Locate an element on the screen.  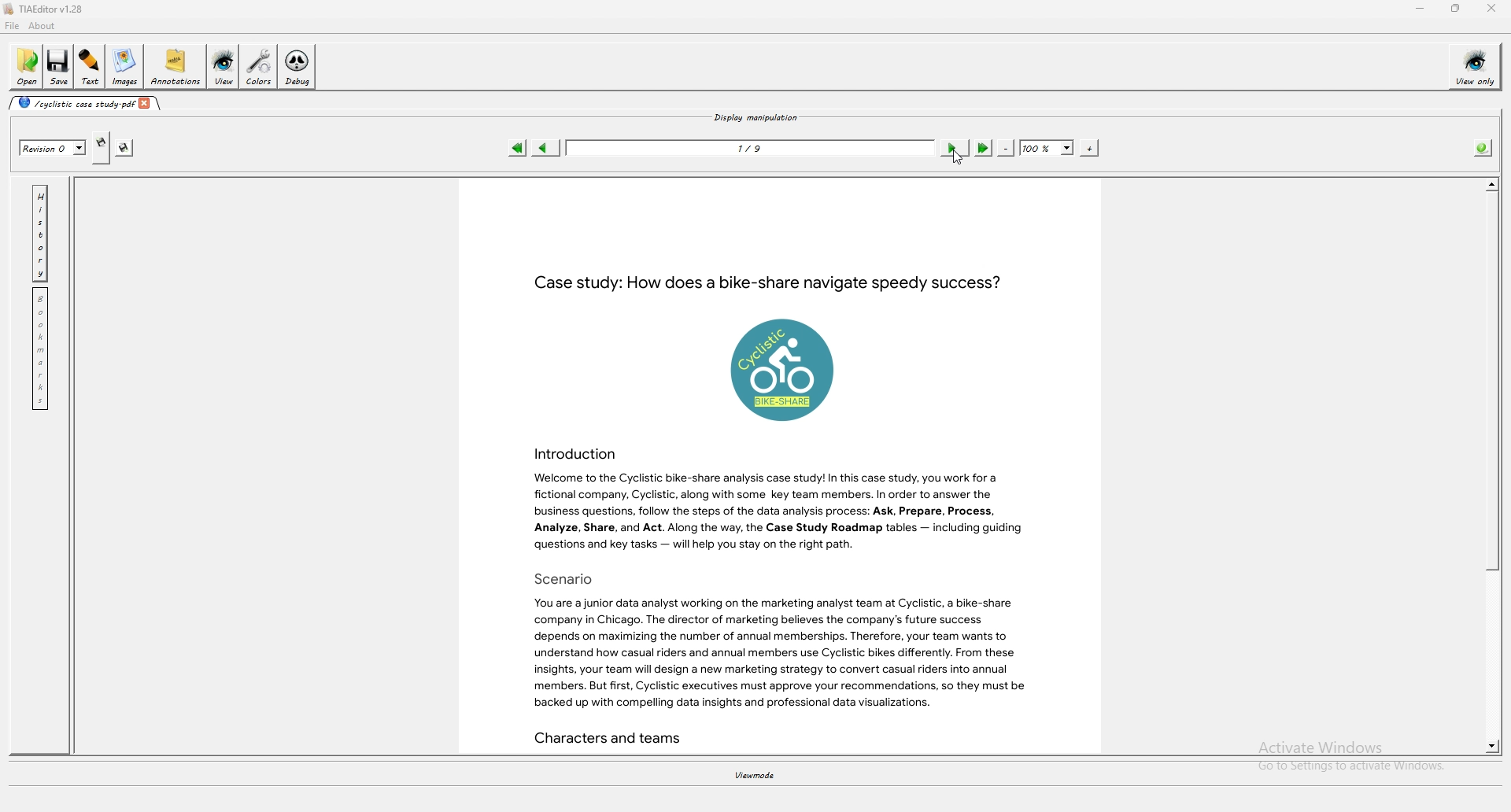
text is located at coordinates (91, 66).